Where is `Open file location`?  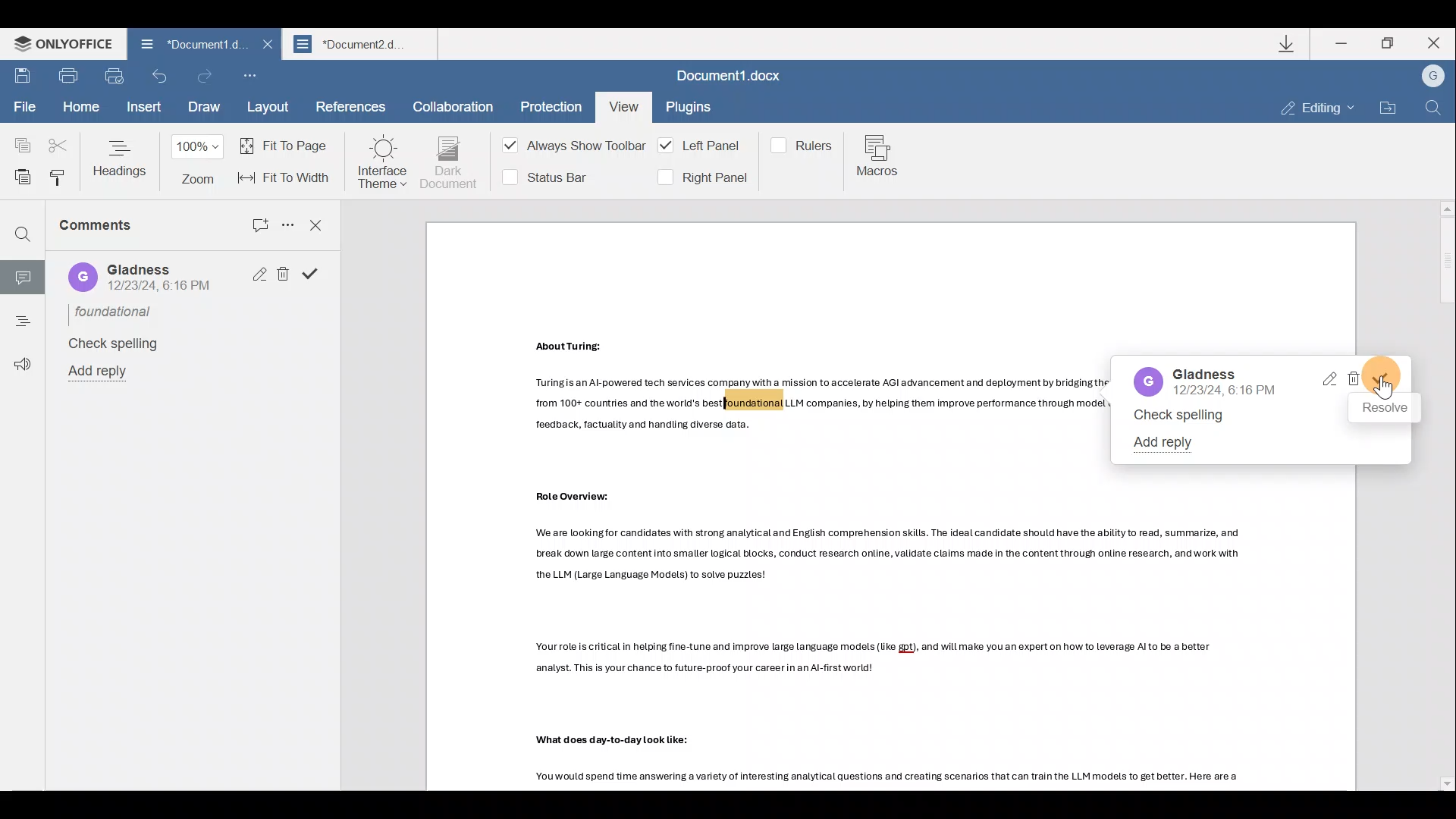 Open file location is located at coordinates (1386, 108).